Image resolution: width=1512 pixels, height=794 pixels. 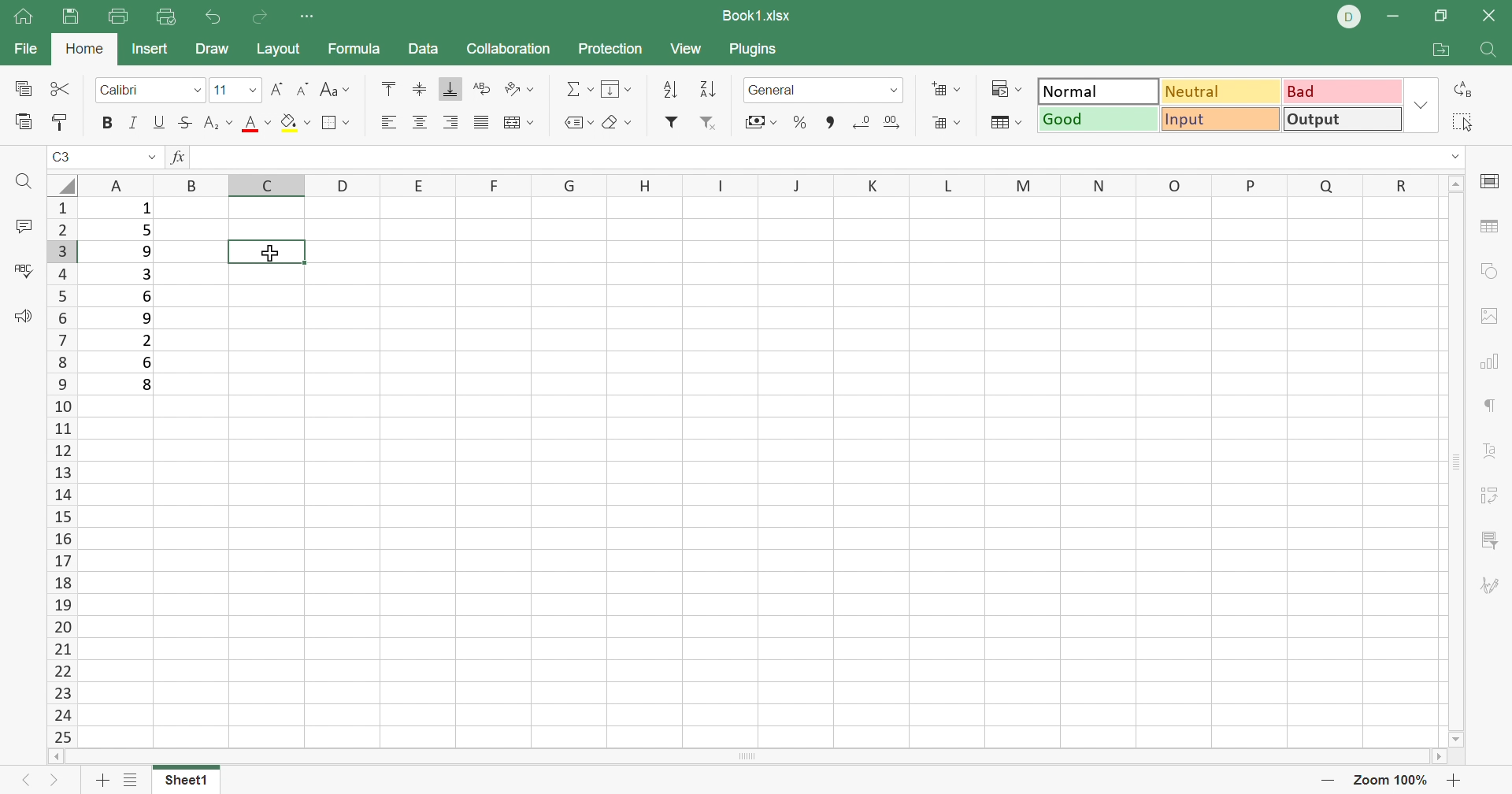 What do you see at coordinates (165, 16) in the screenshot?
I see `Quick print` at bounding box center [165, 16].